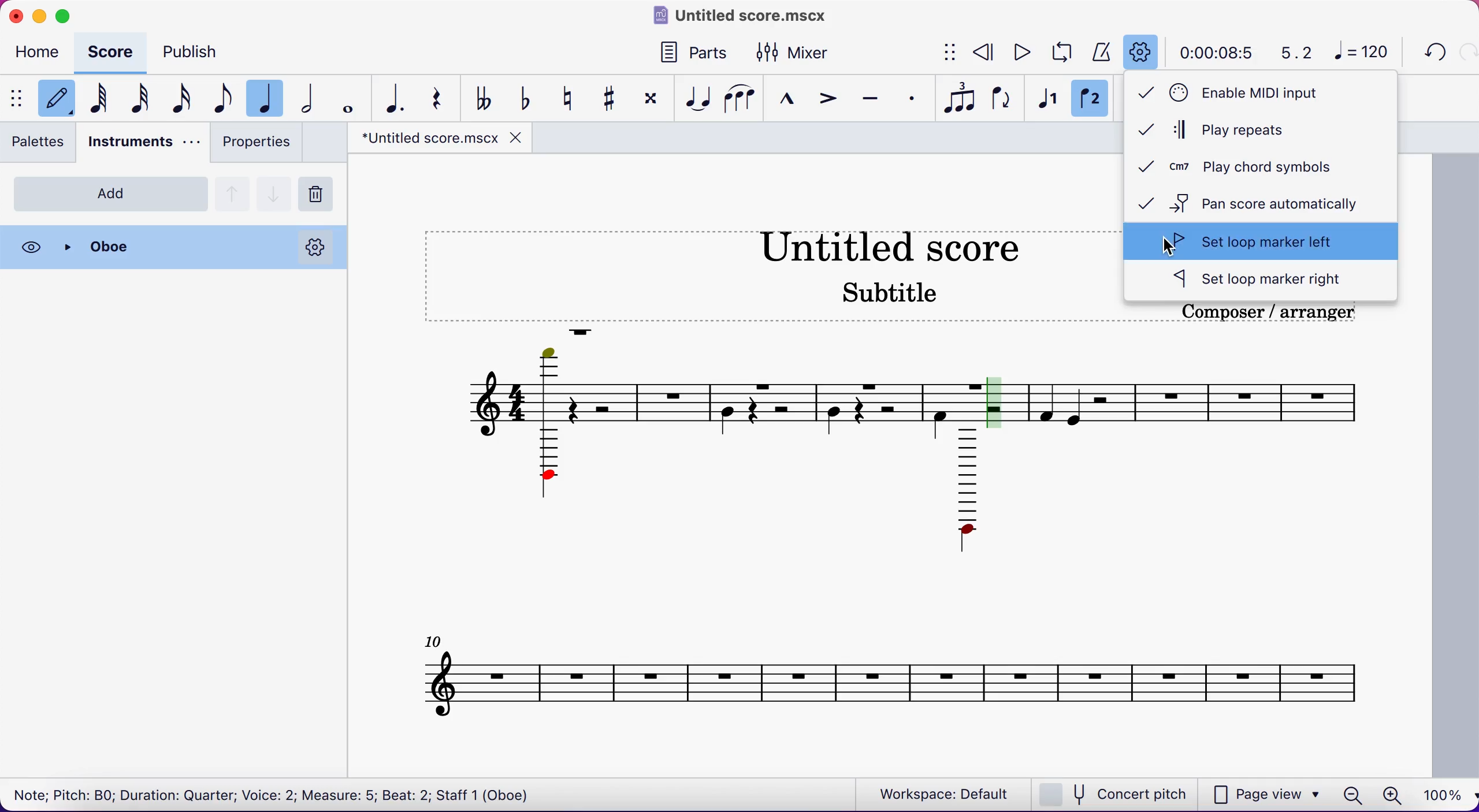 This screenshot has height=812, width=1479. What do you see at coordinates (40, 54) in the screenshot?
I see `home` at bounding box center [40, 54].